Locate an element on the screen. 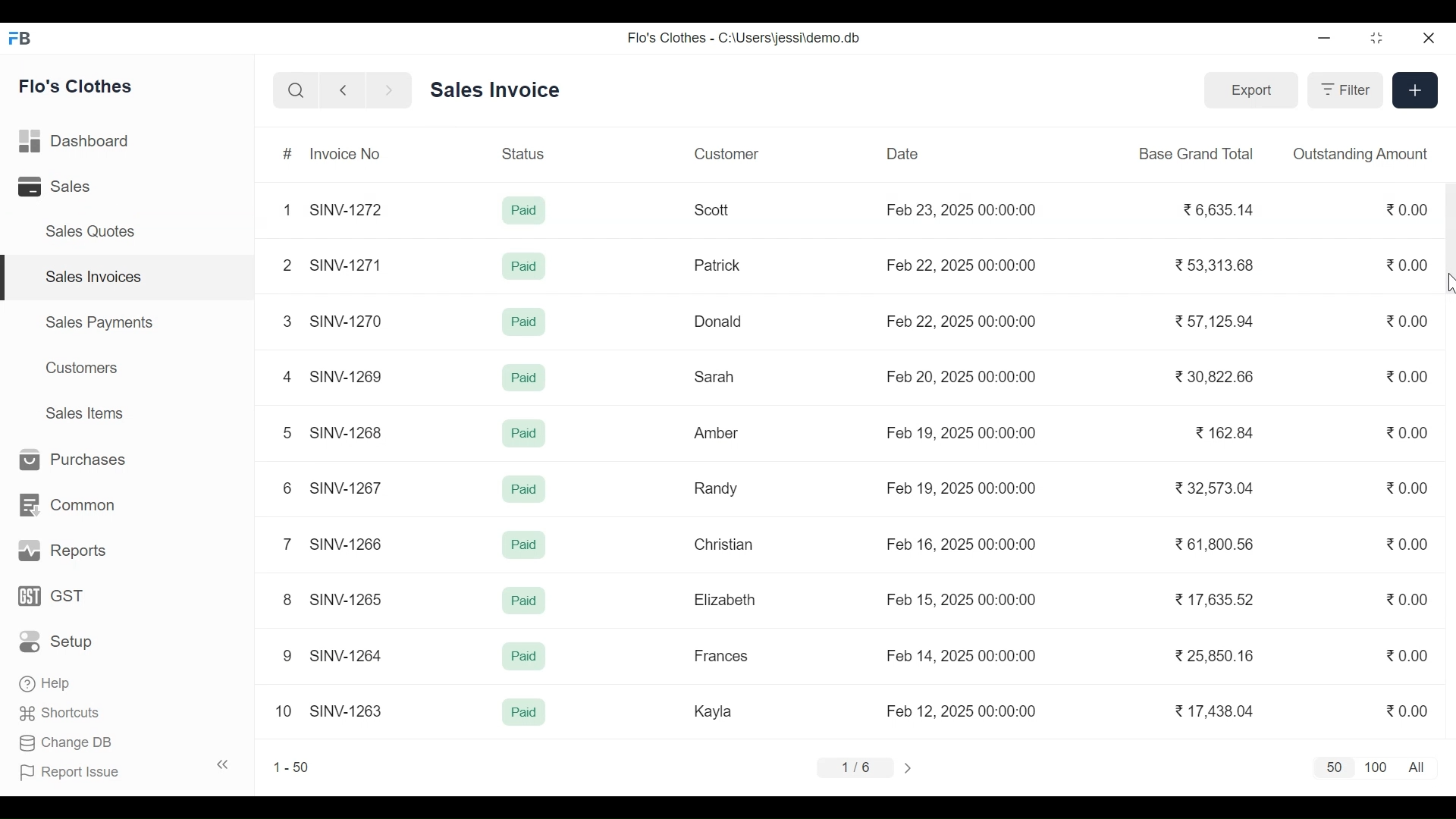 The width and height of the screenshot is (1456, 819). SINV-1264 is located at coordinates (350, 654).